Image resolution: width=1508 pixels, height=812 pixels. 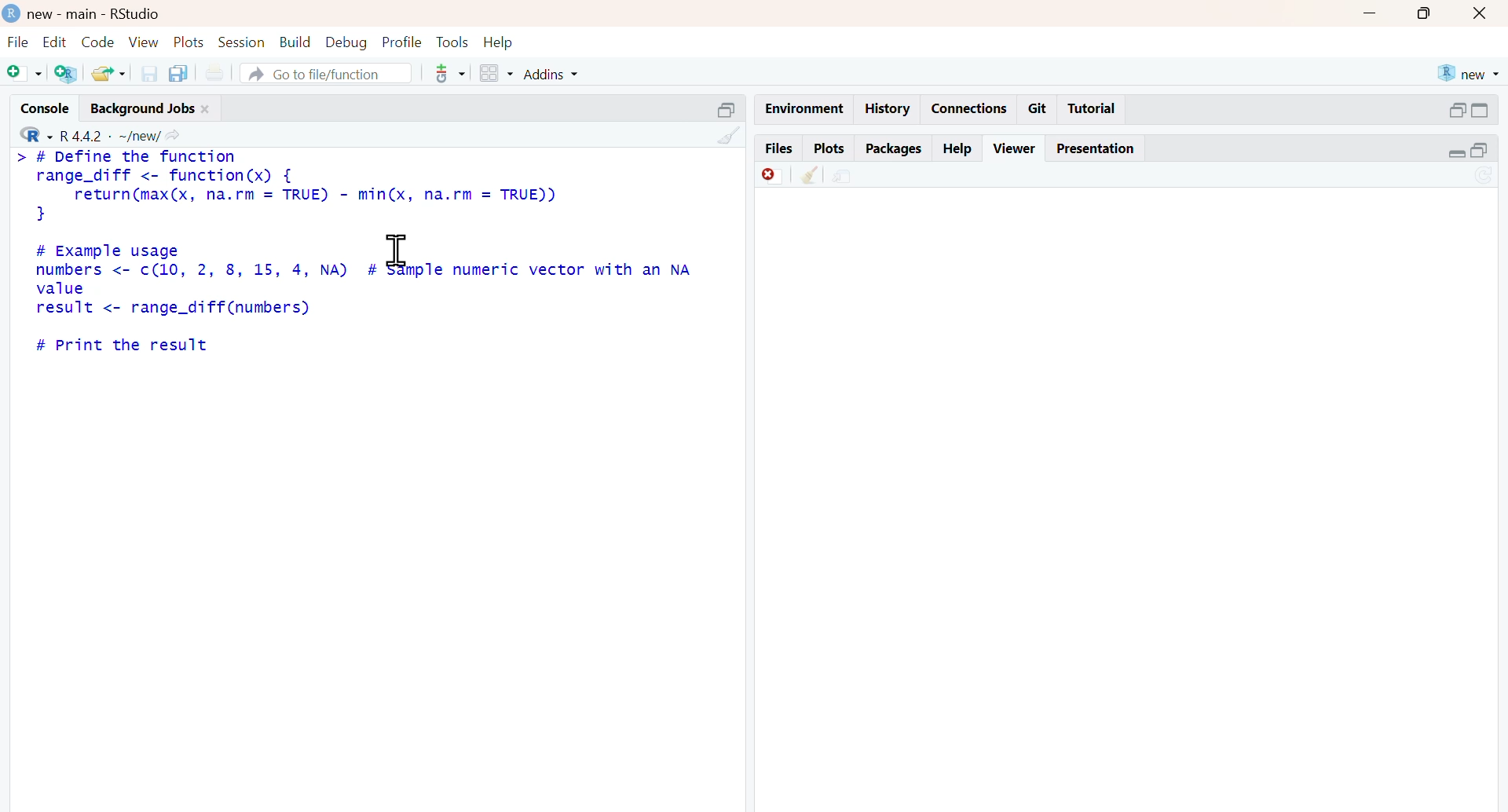 I want to click on clean, so click(x=811, y=174).